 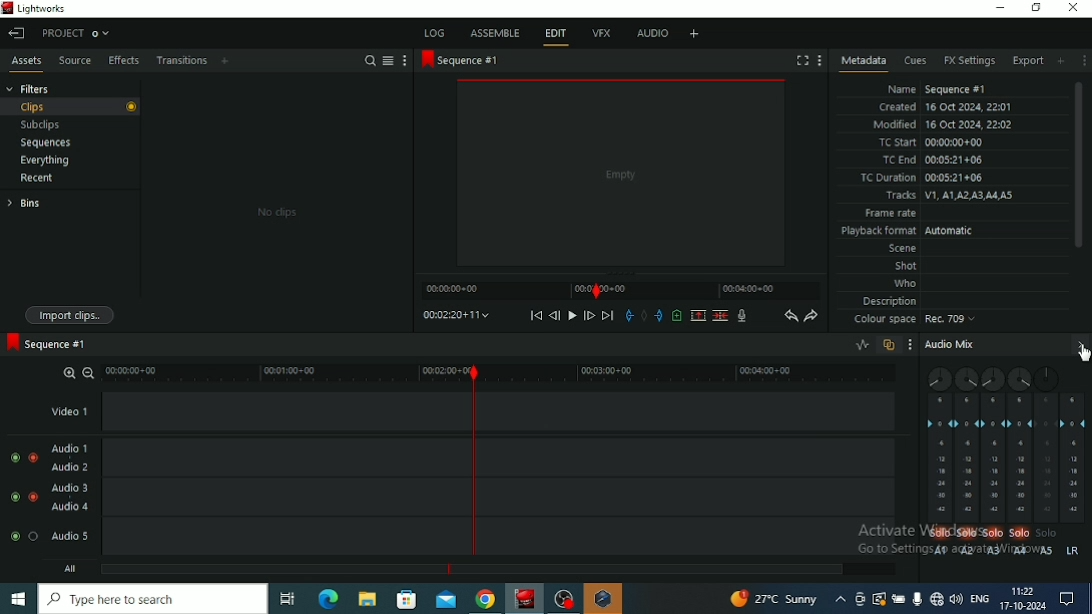 What do you see at coordinates (122, 60) in the screenshot?
I see `Effects` at bounding box center [122, 60].